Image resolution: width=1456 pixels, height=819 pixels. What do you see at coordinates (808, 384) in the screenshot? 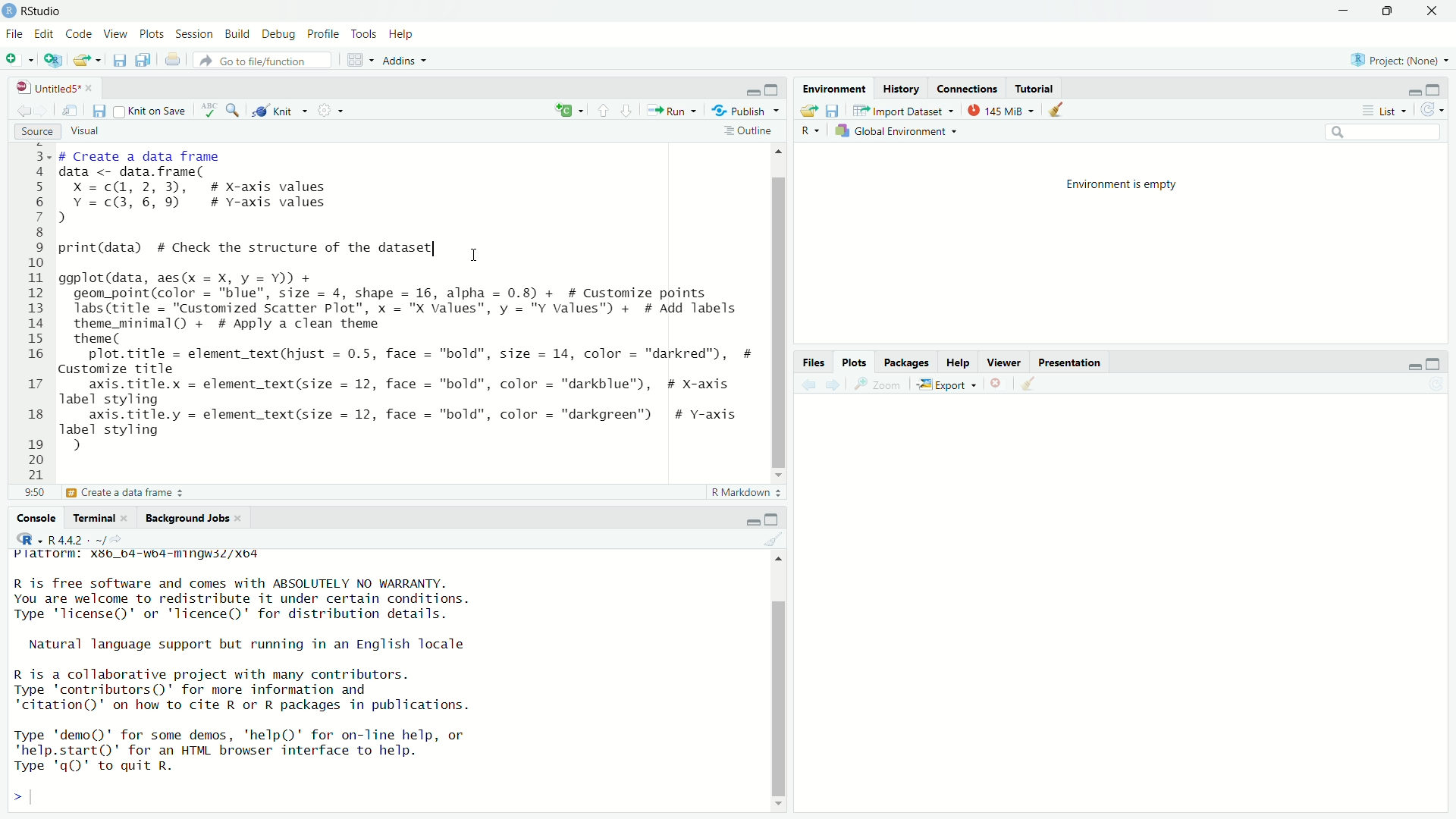
I see `Back ` at bounding box center [808, 384].